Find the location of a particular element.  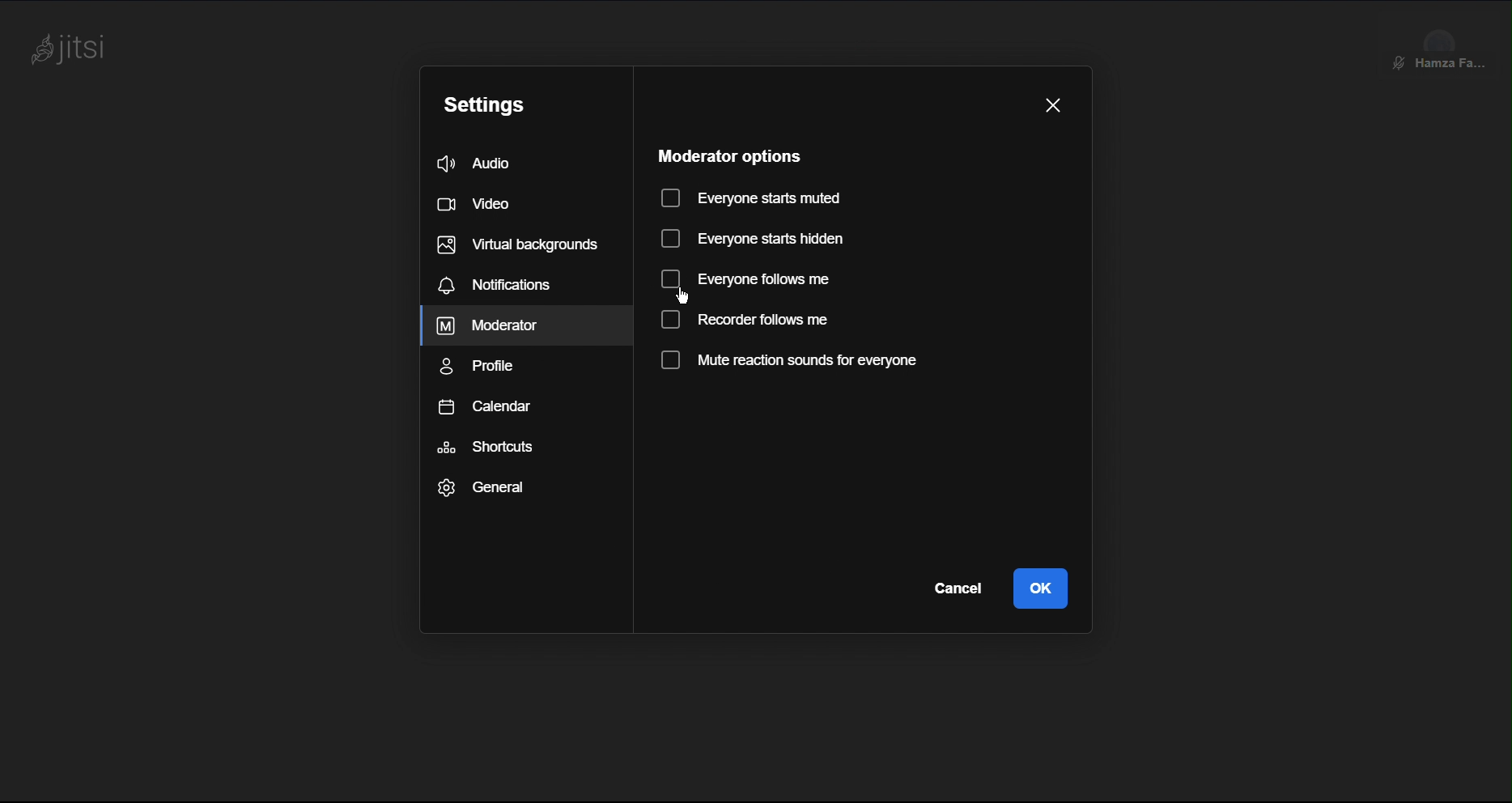

General is located at coordinates (484, 486).